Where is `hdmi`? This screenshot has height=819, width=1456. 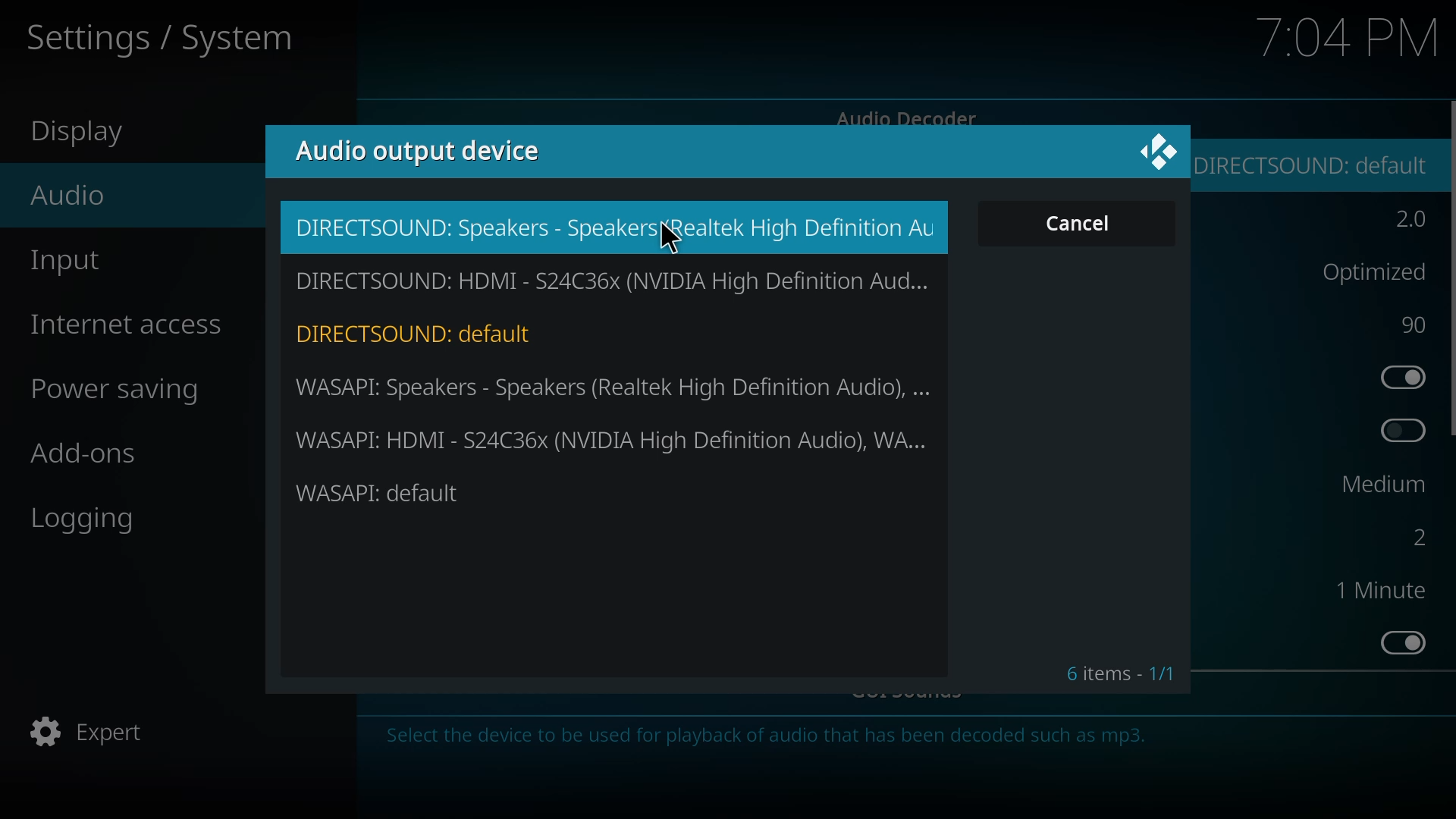
hdmi is located at coordinates (611, 280).